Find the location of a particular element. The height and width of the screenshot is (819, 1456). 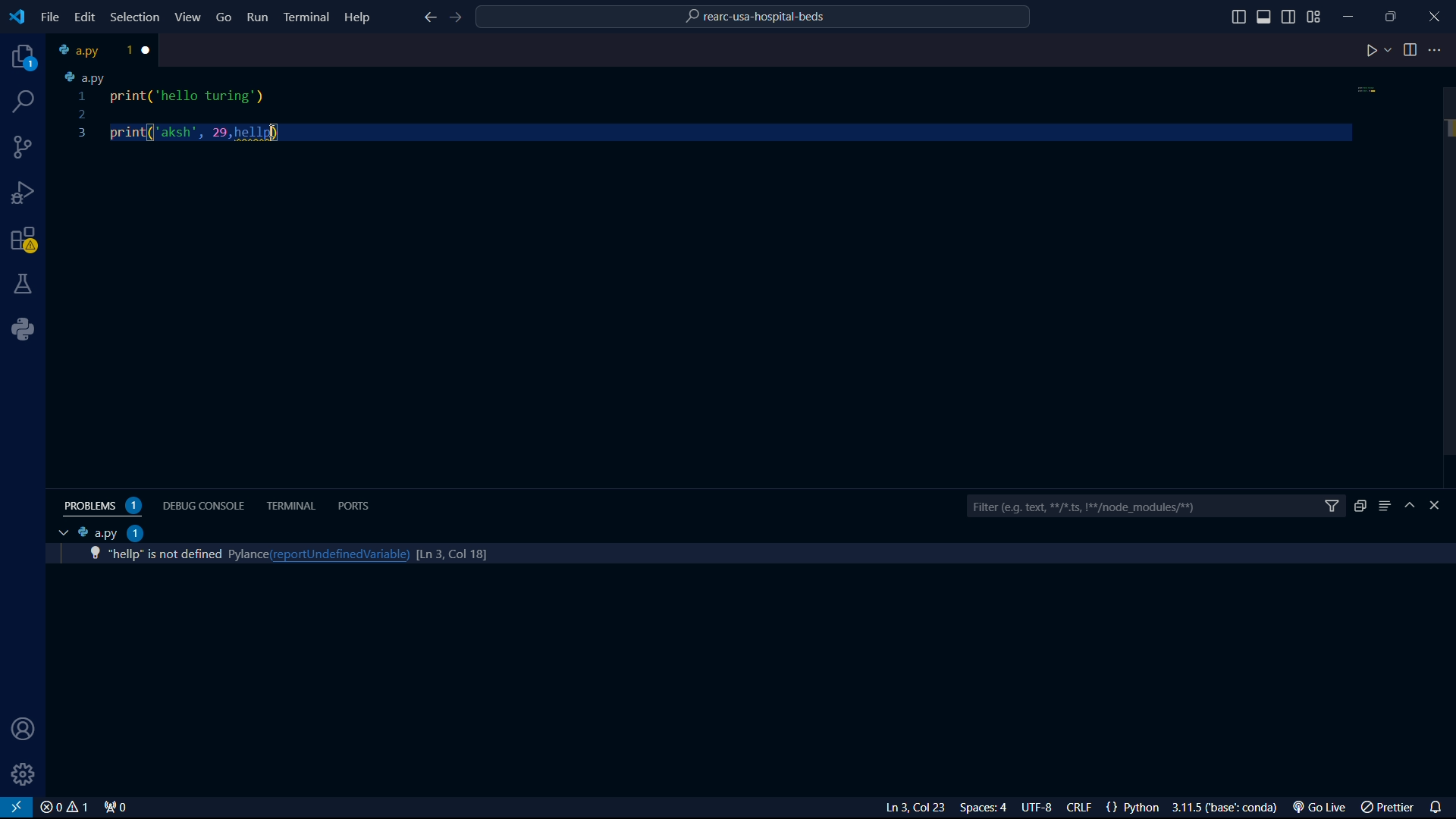

search is located at coordinates (25, 102).